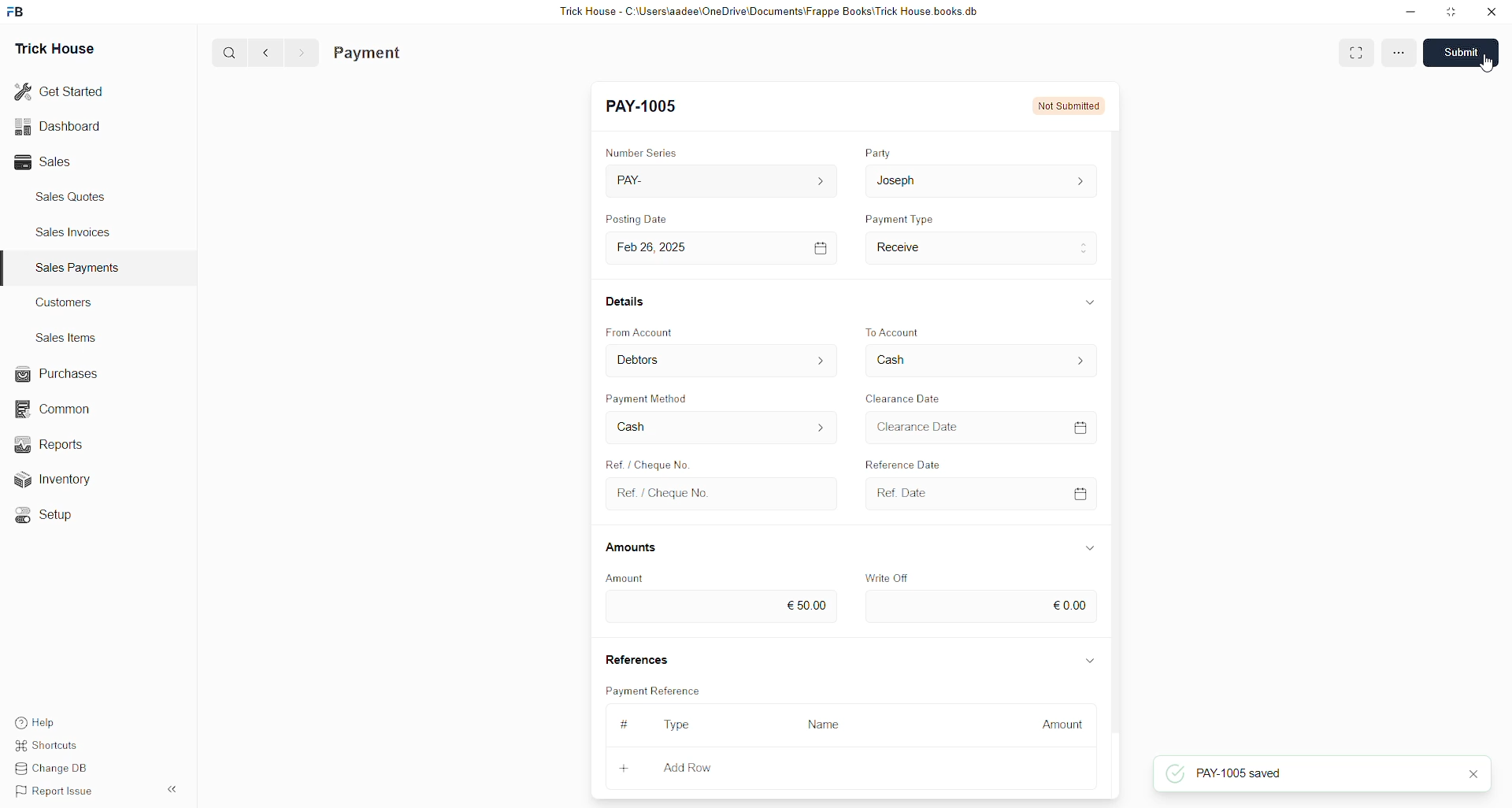  Describe the element at coordinates (982, 249) in the screenshot. I see `Payment Type` at that location.